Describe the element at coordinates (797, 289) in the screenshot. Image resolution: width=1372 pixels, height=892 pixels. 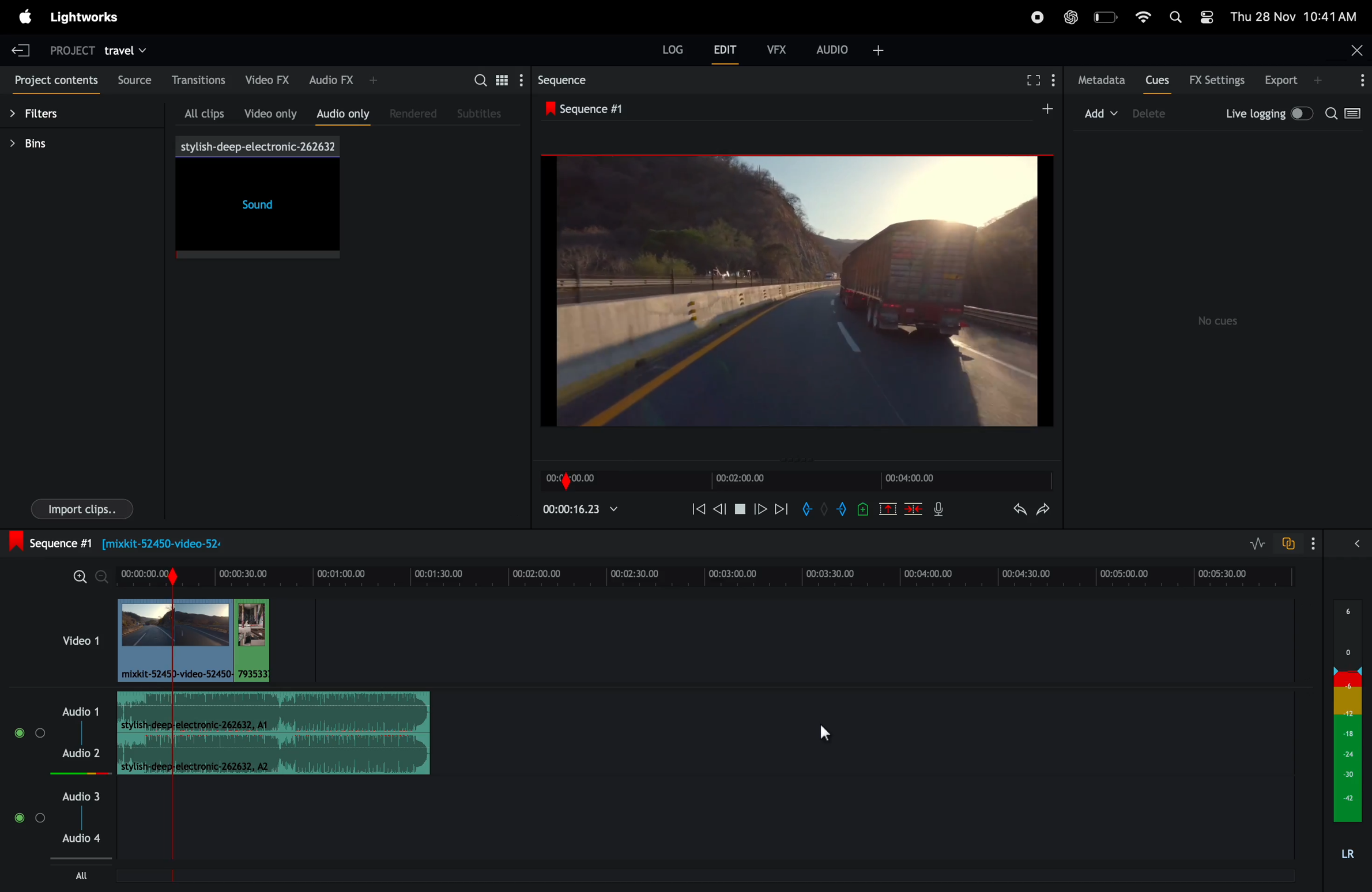
I see `output screen` at that location.